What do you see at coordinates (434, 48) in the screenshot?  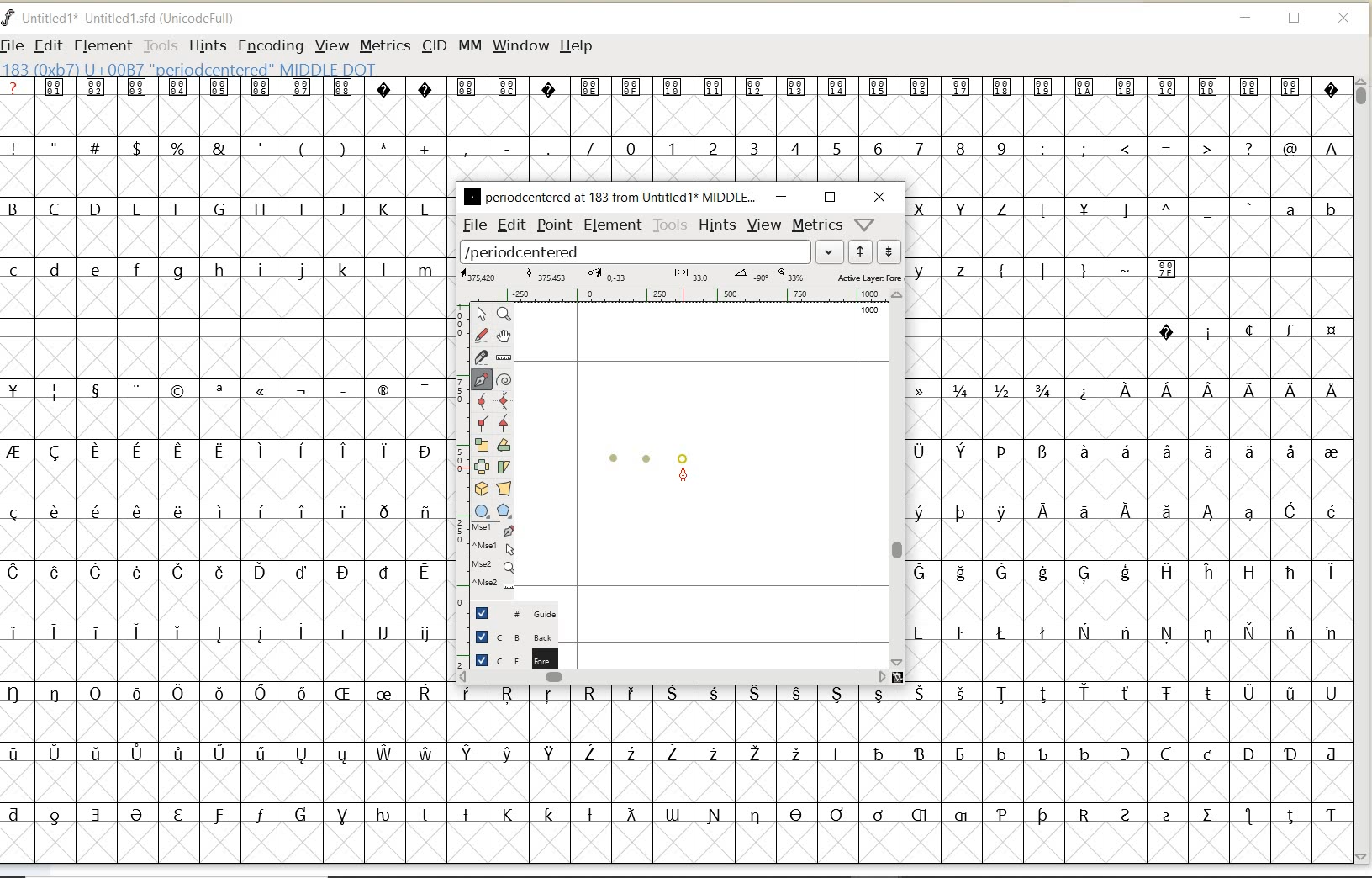 I see `CID` at bounding box center [434, 48].